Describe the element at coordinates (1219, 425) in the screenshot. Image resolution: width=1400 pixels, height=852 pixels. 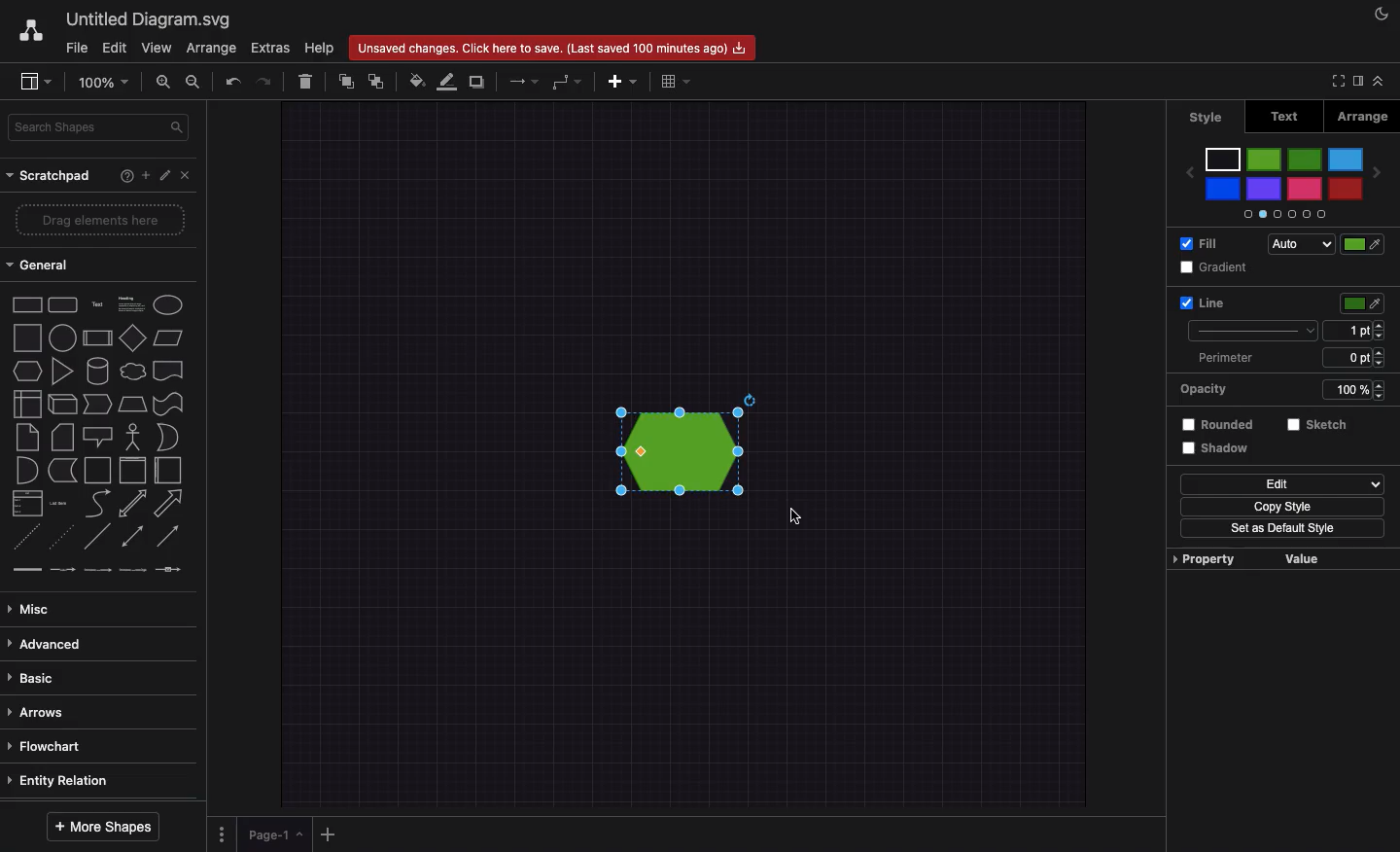
I see `Rounded` at that location.